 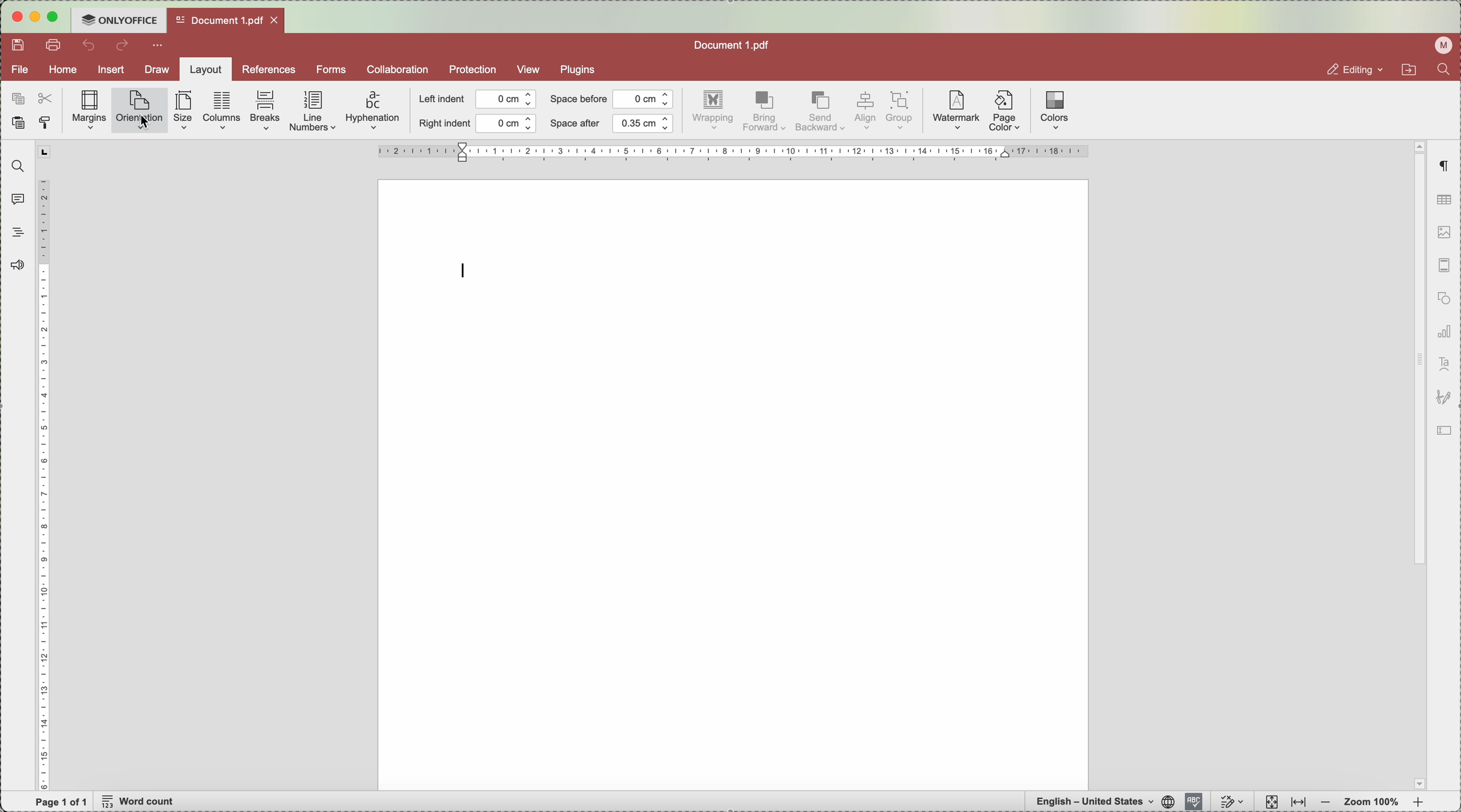 I want to click on find, so click(x=1447, y=72).